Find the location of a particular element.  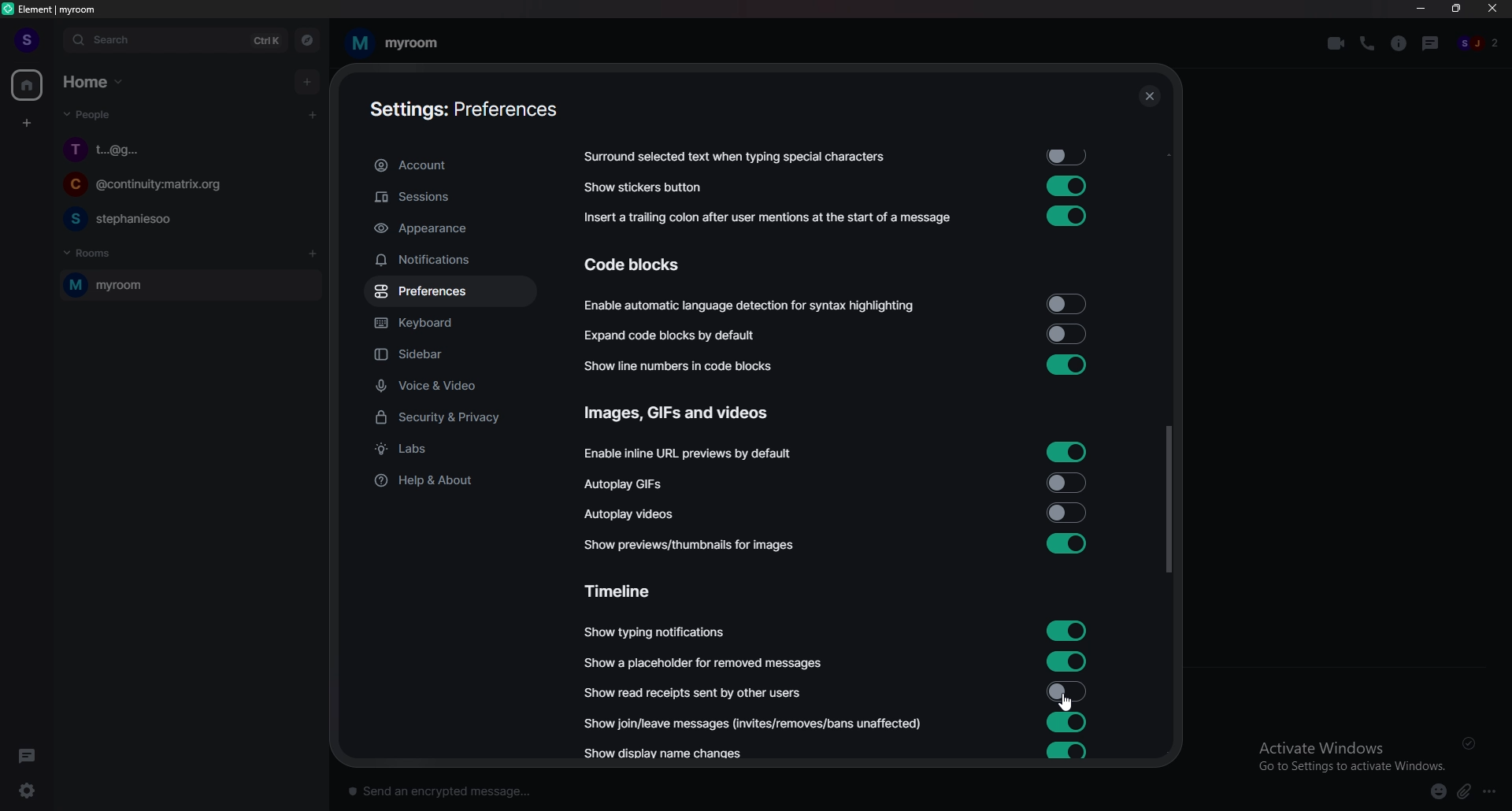

People is located at coordinates (84, 117).